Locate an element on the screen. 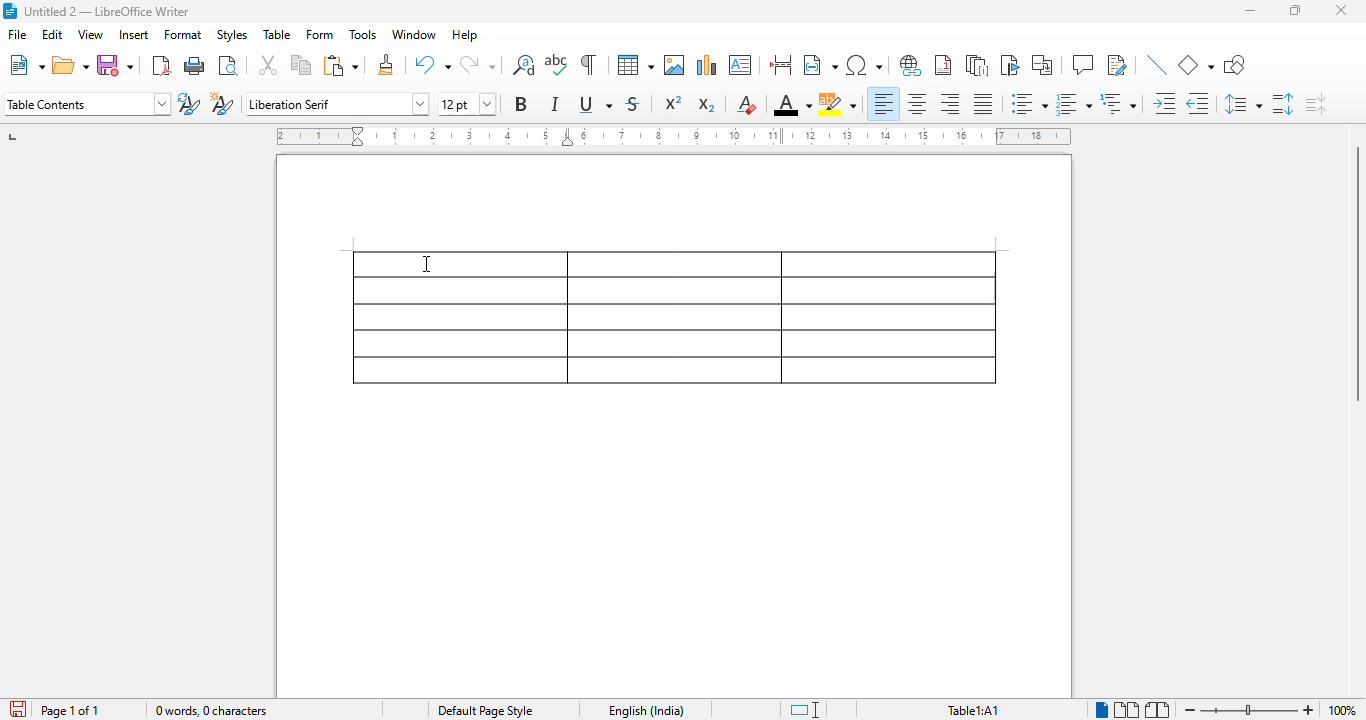  cursor is located at coordinates (424, 264).